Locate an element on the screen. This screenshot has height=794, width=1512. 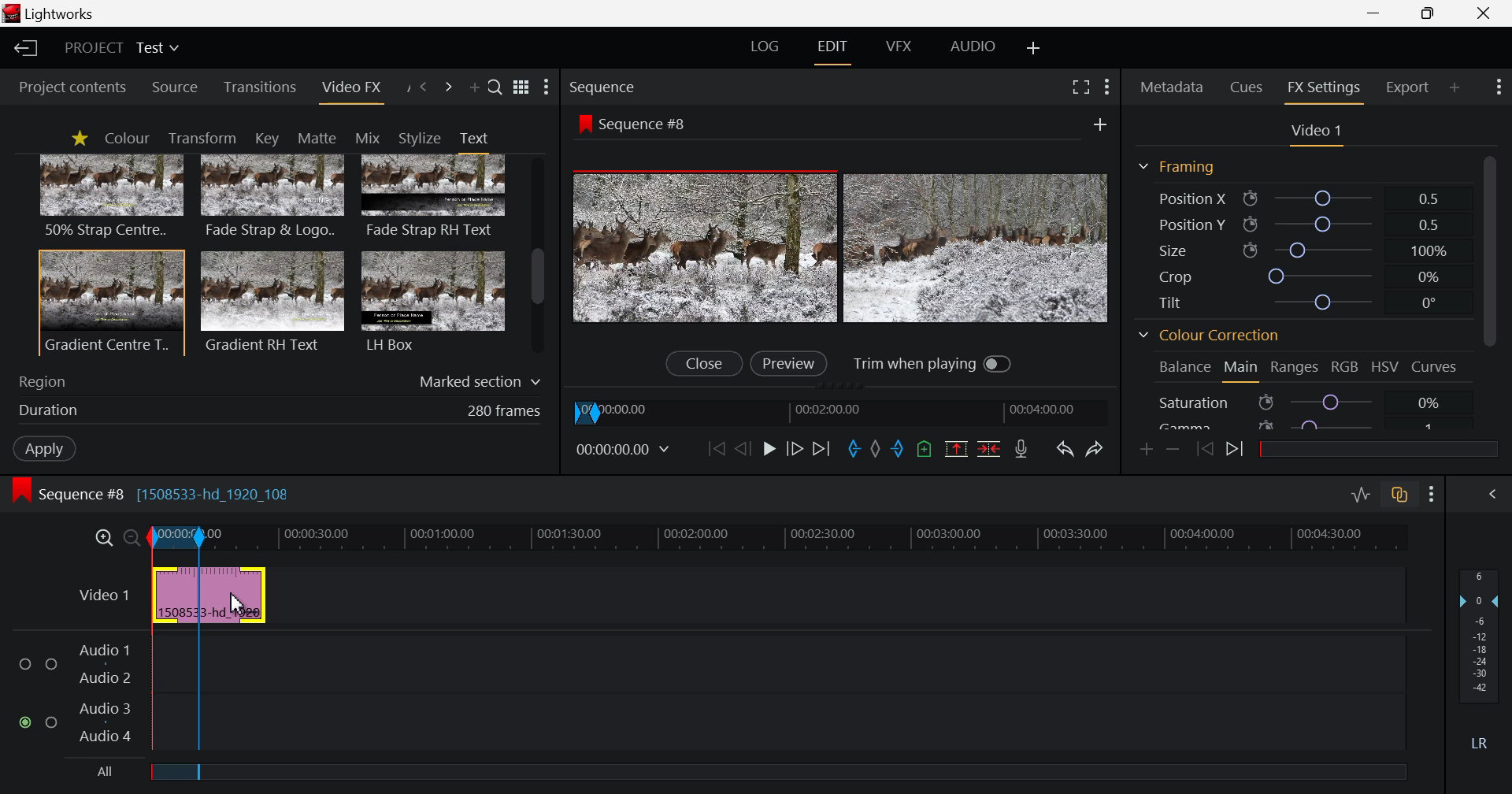
Project Timeline is located at coordinates (775, 538).